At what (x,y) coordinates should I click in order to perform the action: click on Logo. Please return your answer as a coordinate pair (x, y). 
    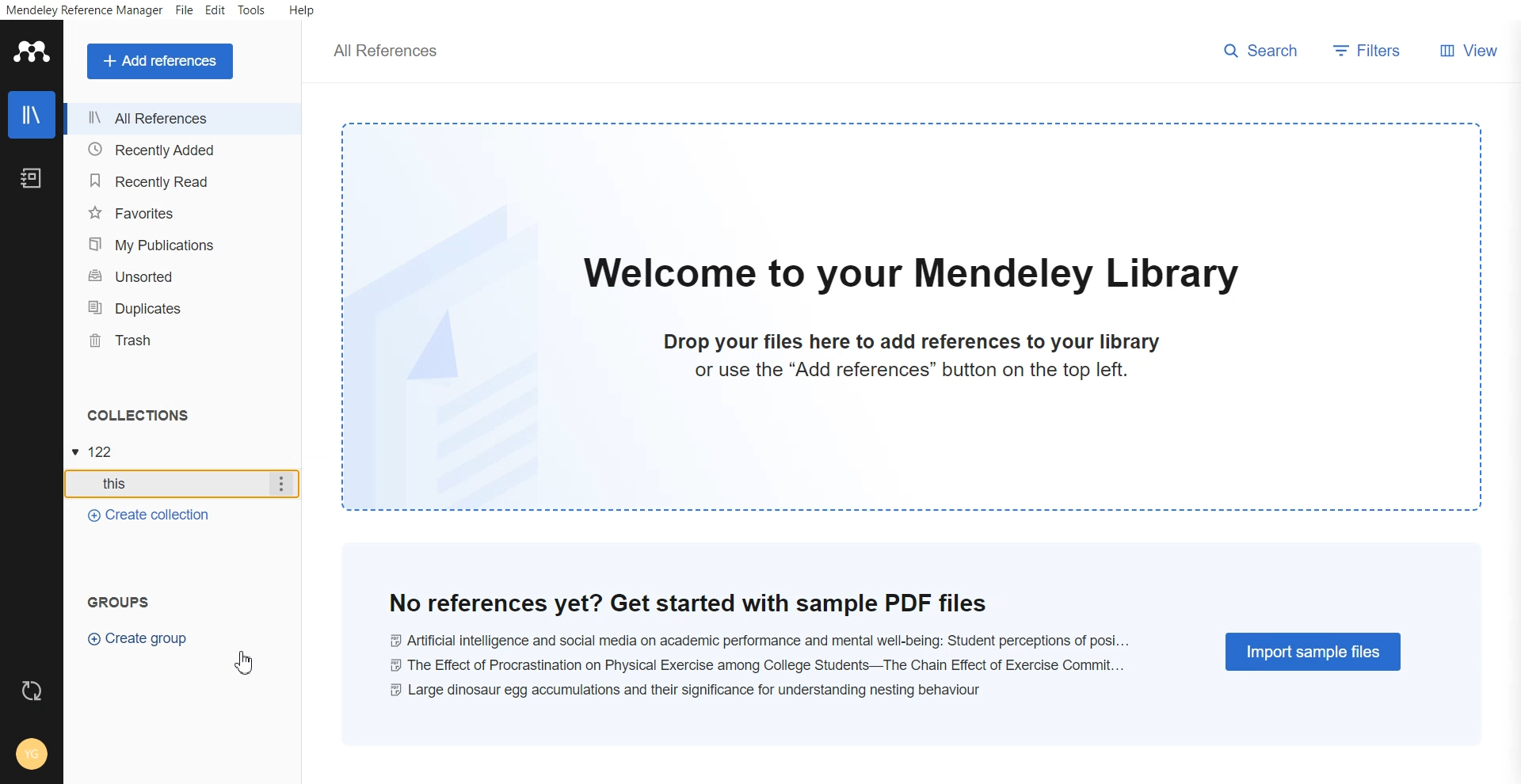
    Looking at the image, I should click on (32, 51).